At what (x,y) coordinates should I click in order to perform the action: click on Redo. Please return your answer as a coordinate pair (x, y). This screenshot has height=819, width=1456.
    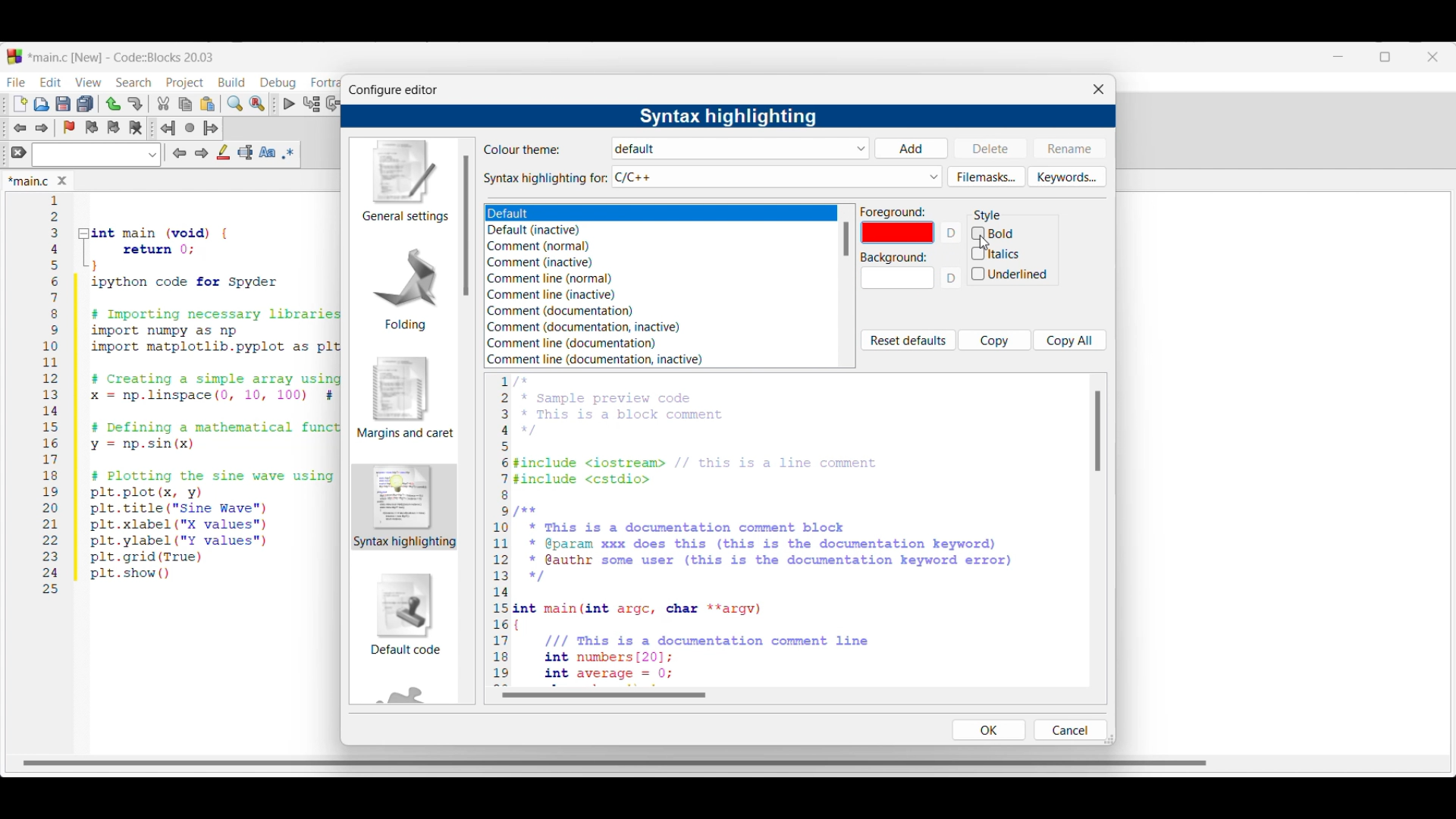
    Looking at the image, I should click on (135, 104).